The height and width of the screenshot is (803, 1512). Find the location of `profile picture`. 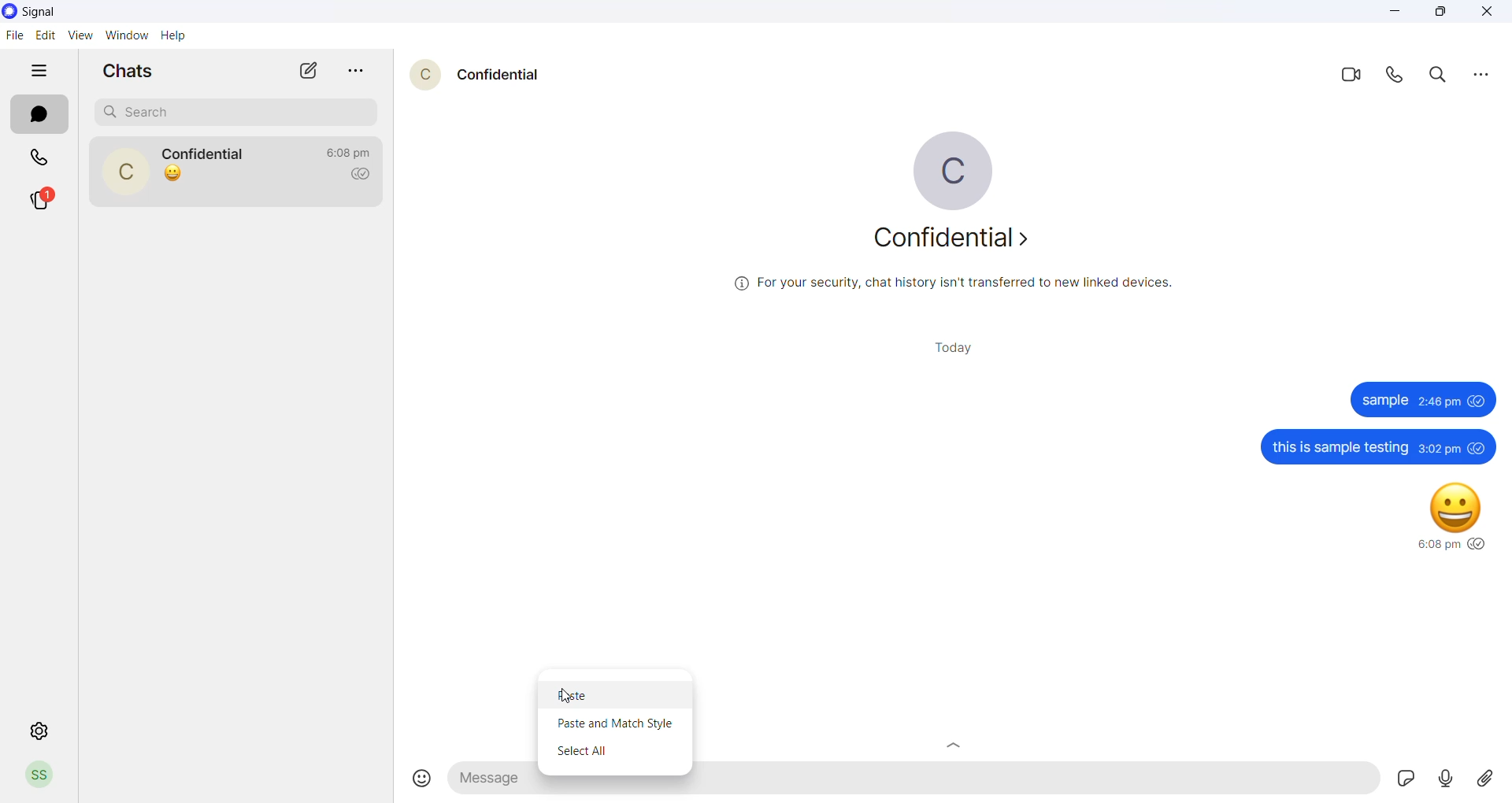

profile picture is located at coordinates (951, 168).